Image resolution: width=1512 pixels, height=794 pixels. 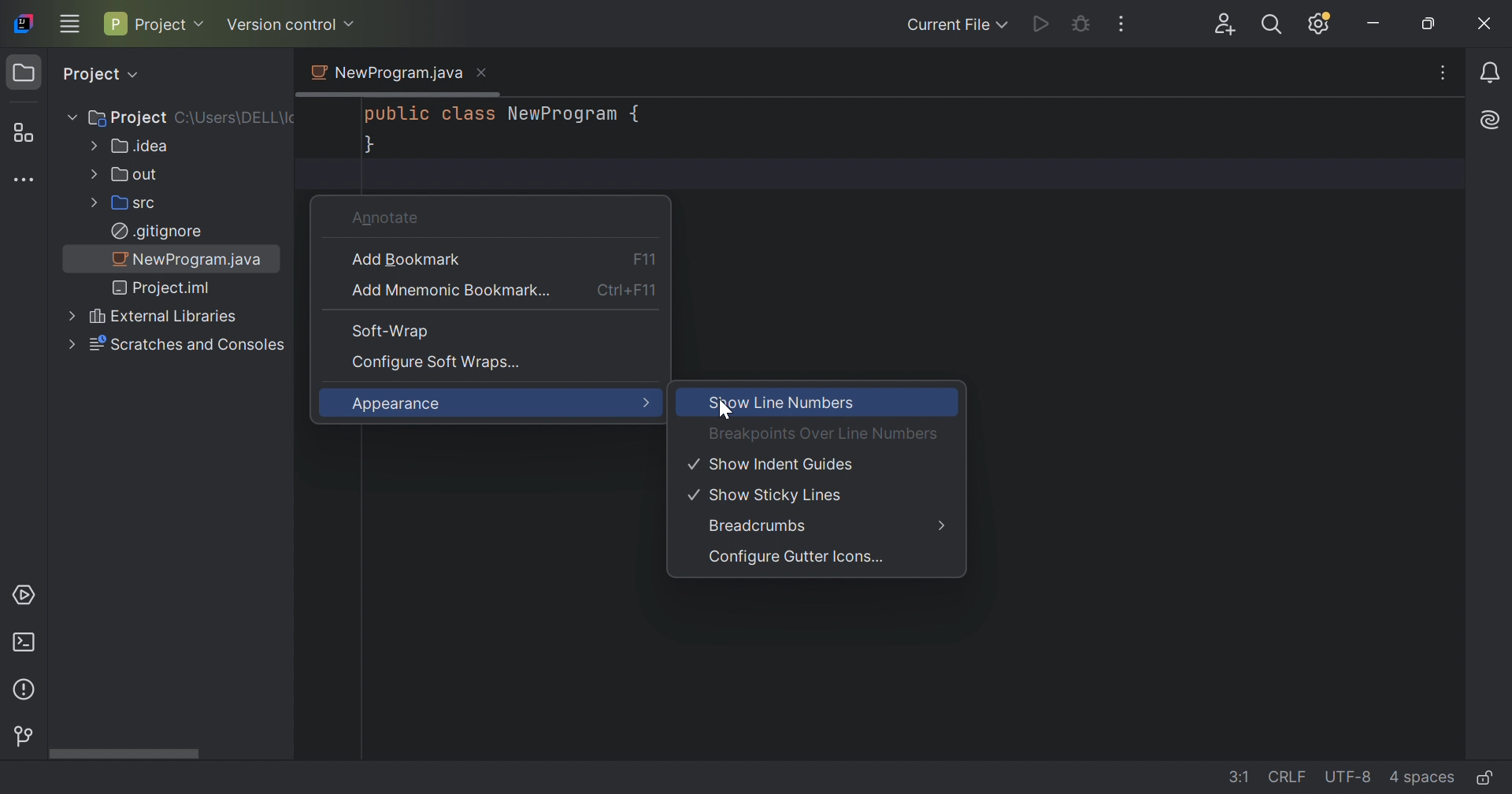 What do you see at coordinates (281, 24) in the screenshot?
I see `Version control` at bounding box center [281, 24].